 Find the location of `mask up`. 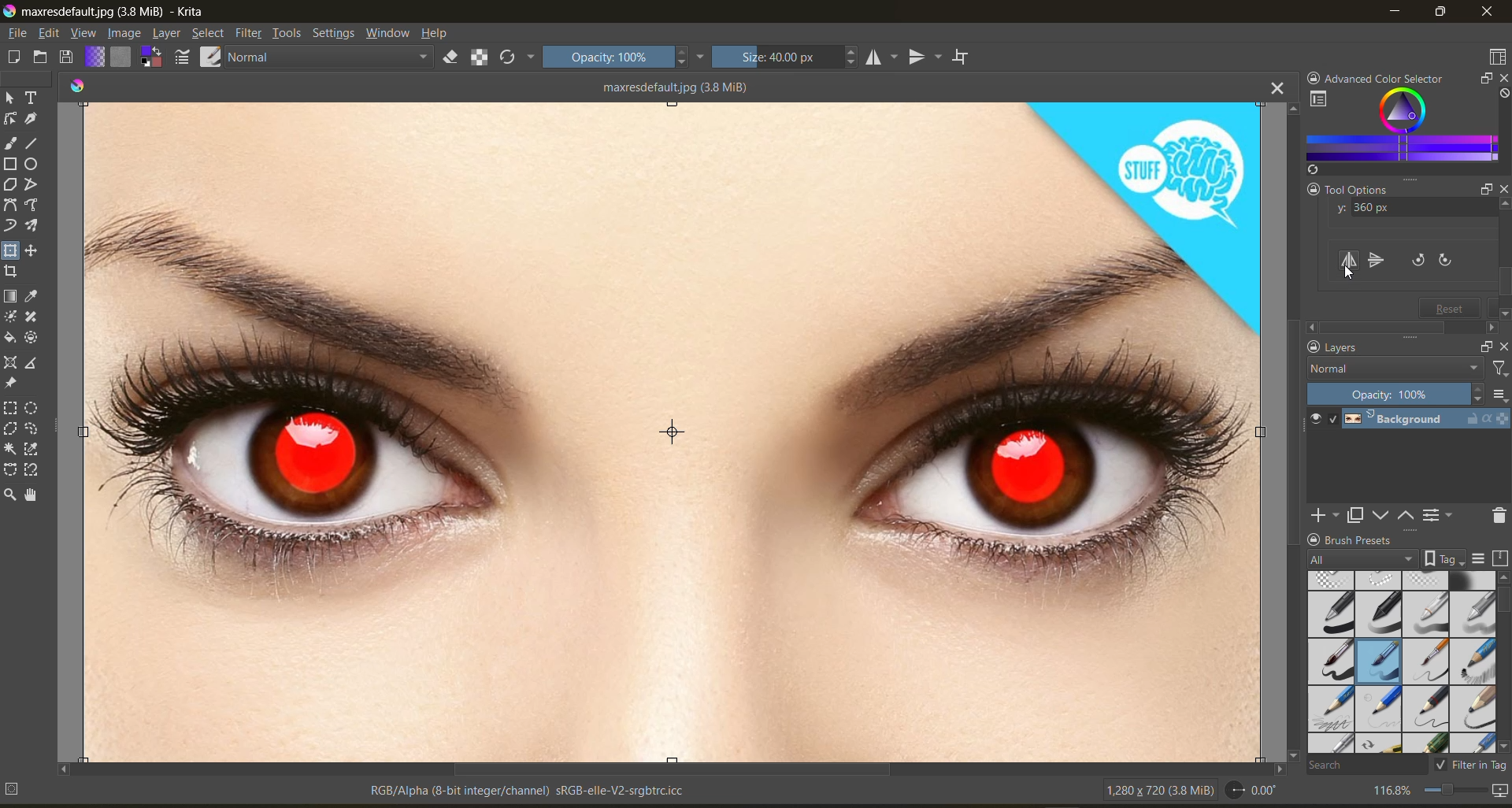

mask up is located at coordinates (1408, 515).